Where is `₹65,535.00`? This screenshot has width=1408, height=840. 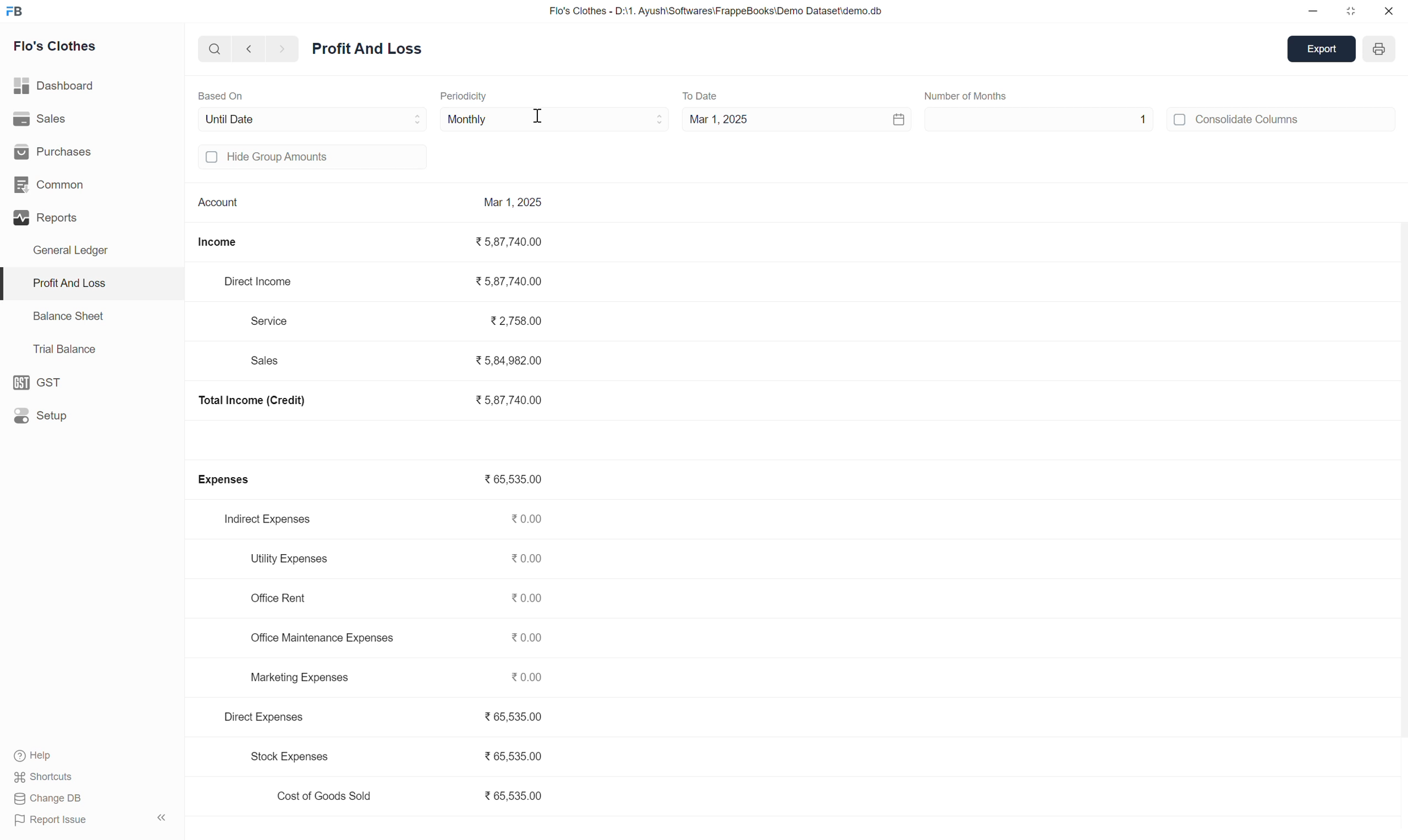 ₹65,535.00 is located at coordinates (515, 717).